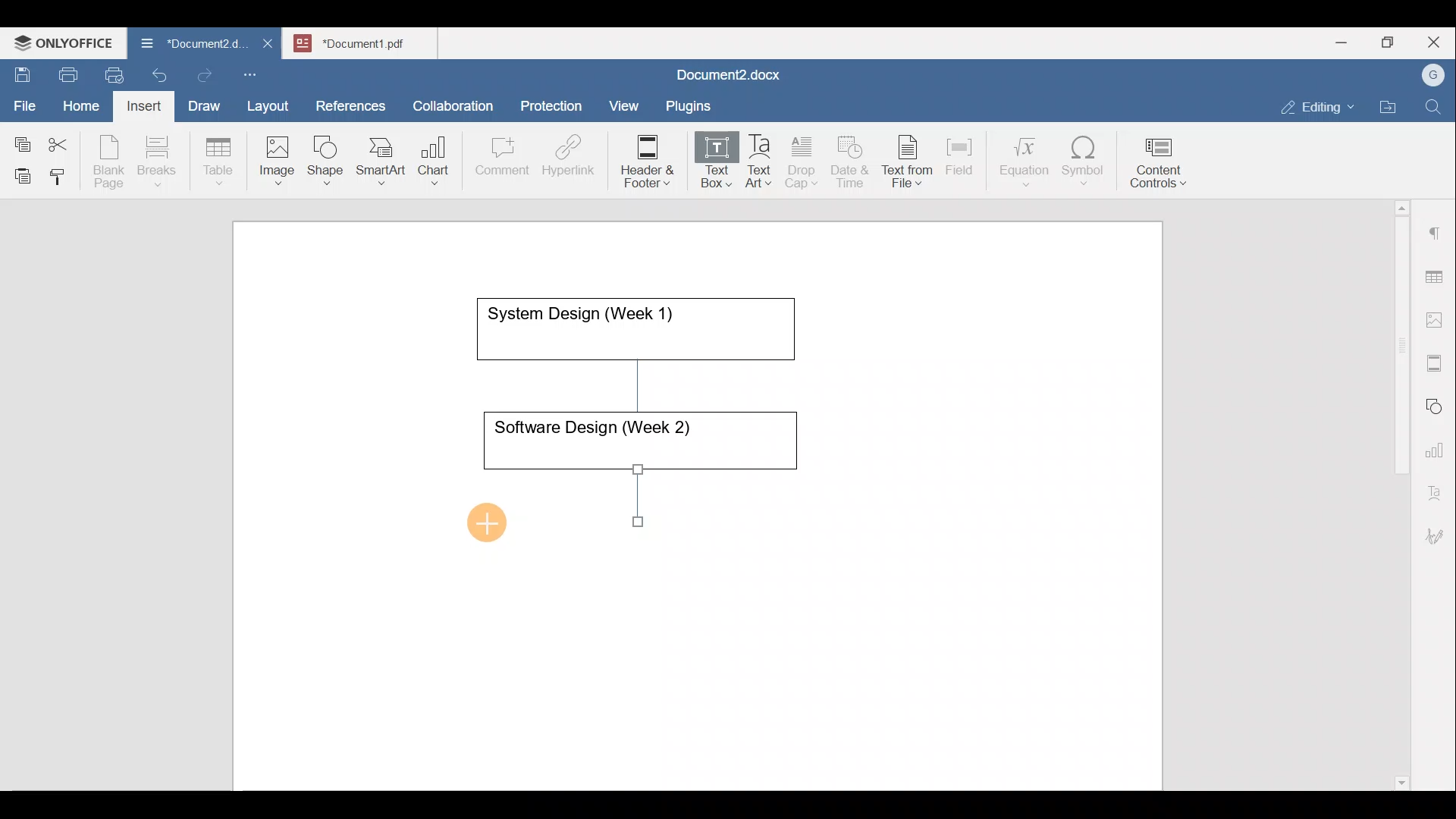  I want to click on Close, so click(1436, 43).